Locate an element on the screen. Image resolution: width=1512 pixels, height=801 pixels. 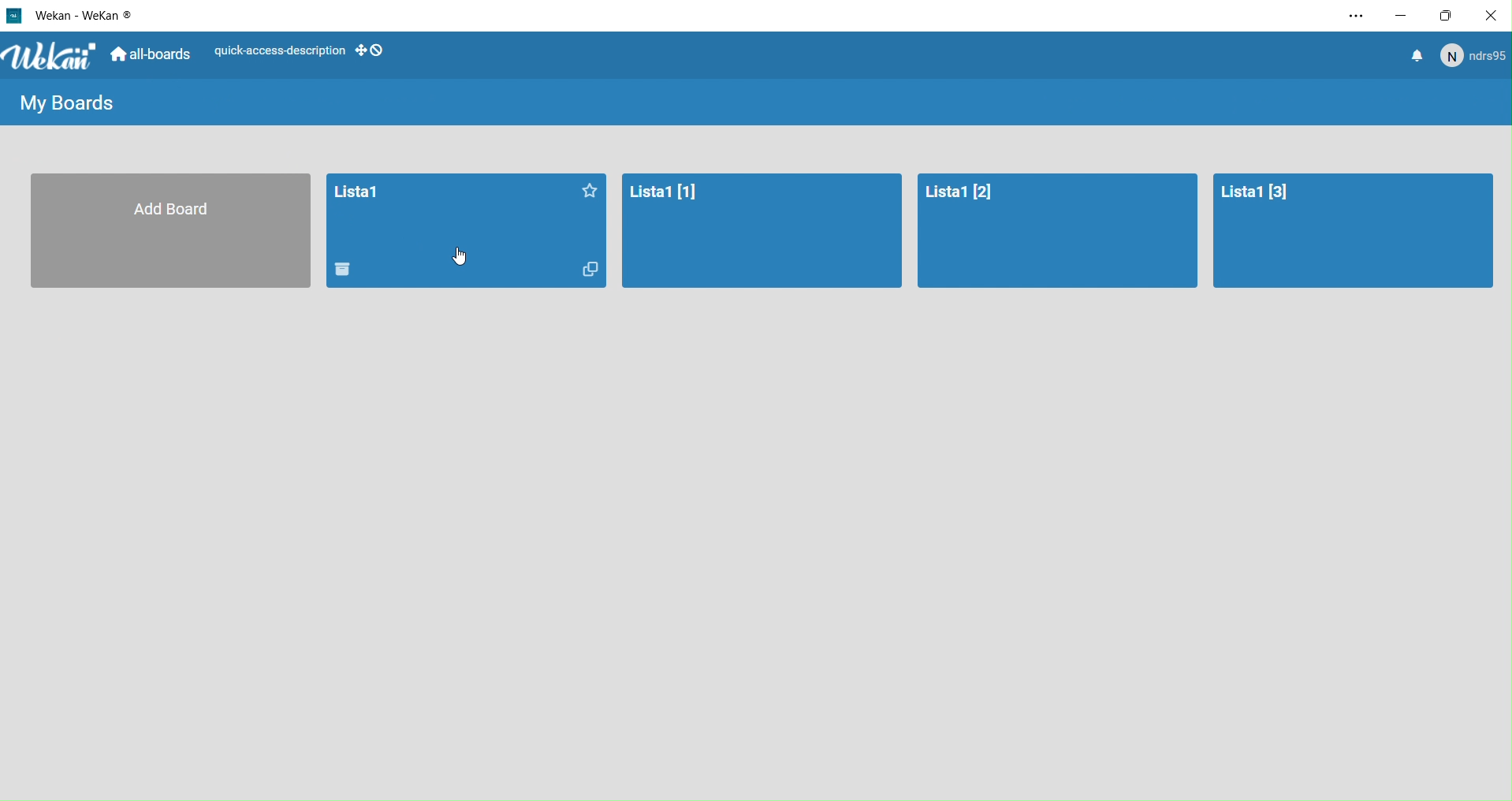
Notifications is located at coordinates (1410, 55).